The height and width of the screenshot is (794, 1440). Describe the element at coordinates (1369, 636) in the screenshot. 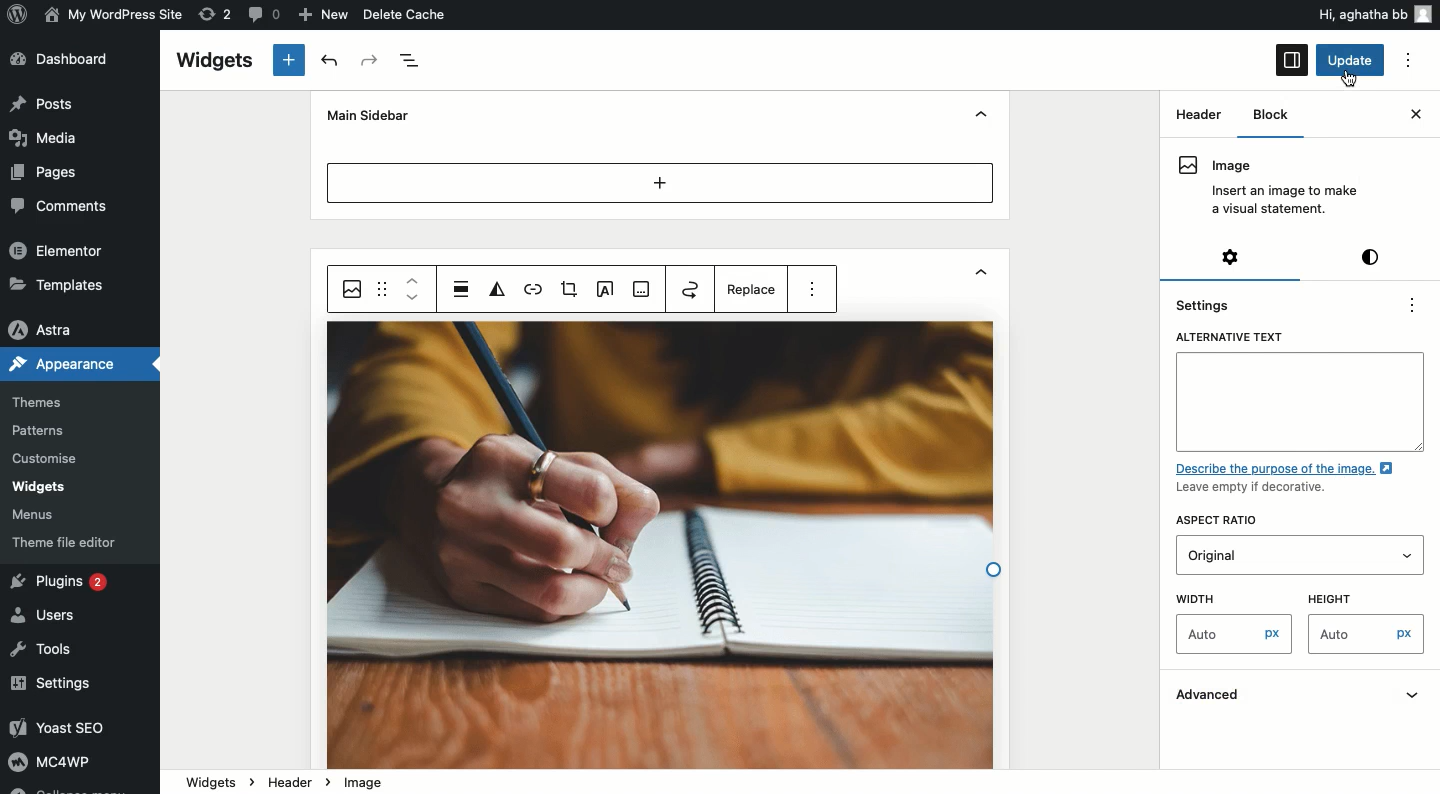

I see `Auto px` at that location.